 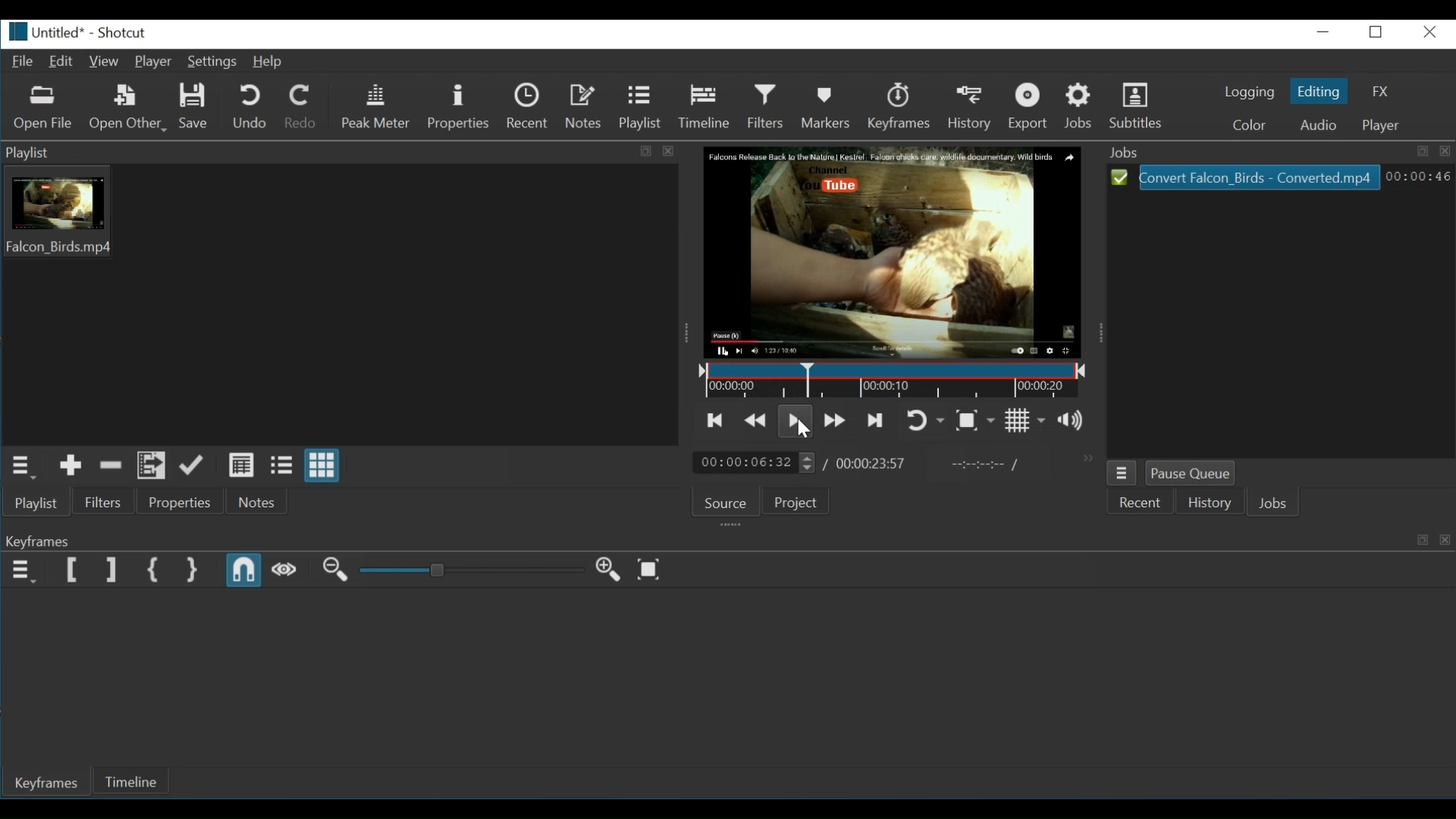 I want to click on Settings, so click(x=213, y=62).